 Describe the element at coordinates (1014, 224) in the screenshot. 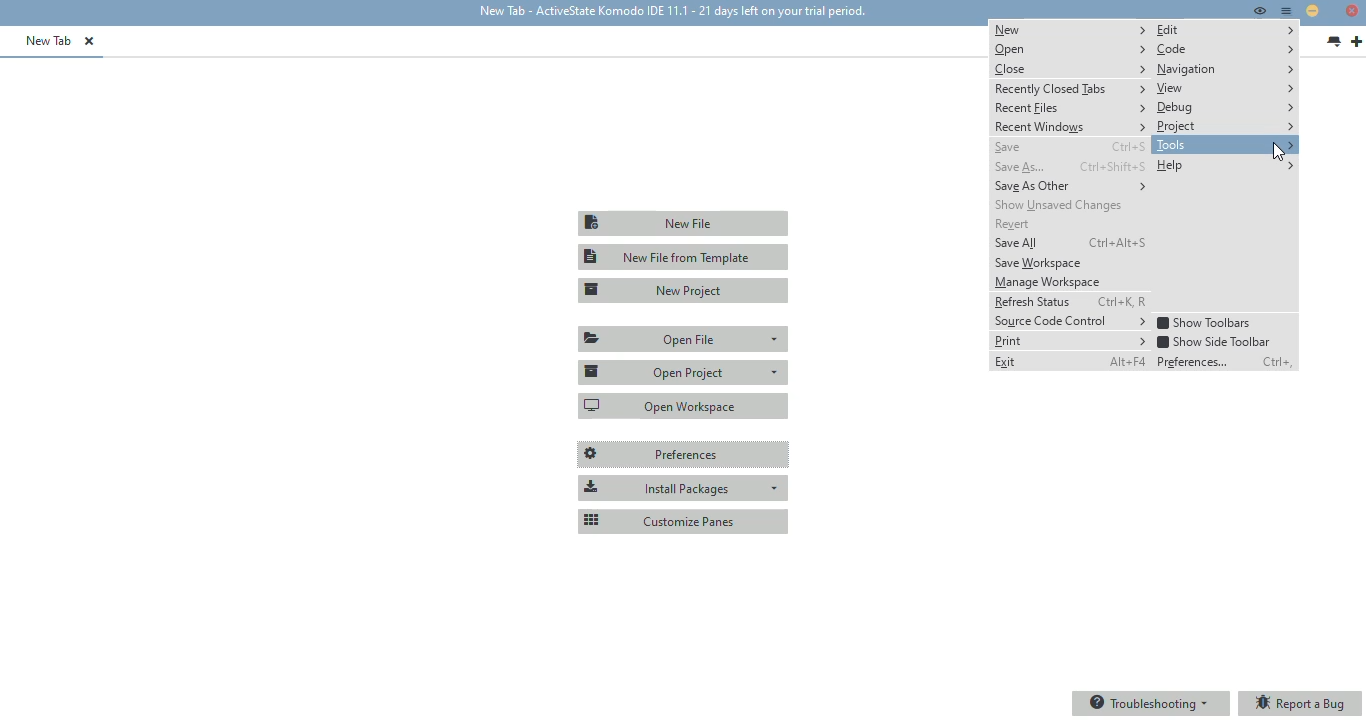

I see `revert` at that location.